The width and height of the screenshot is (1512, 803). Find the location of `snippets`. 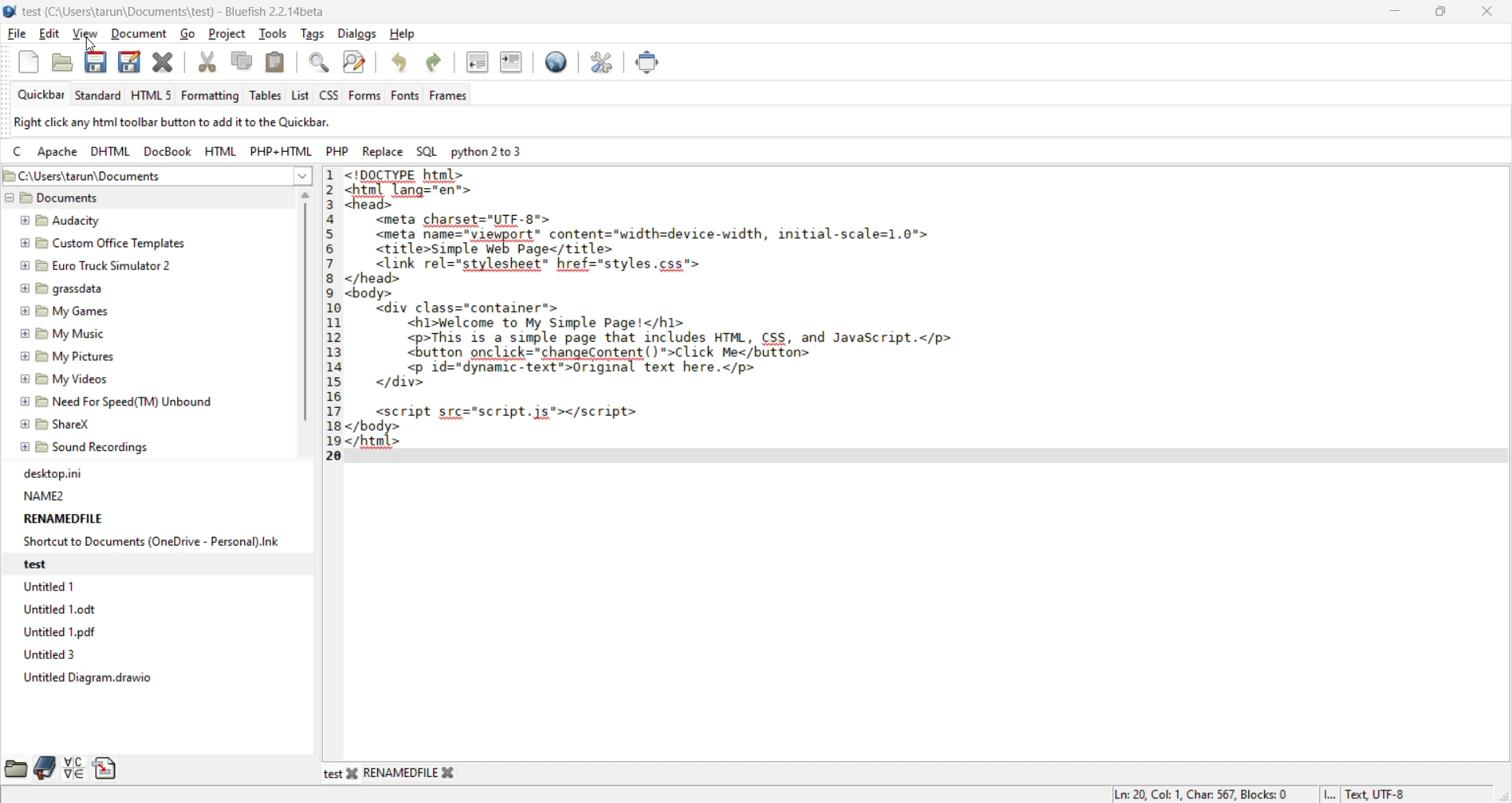

snippets is located at coordinates (108, 768).